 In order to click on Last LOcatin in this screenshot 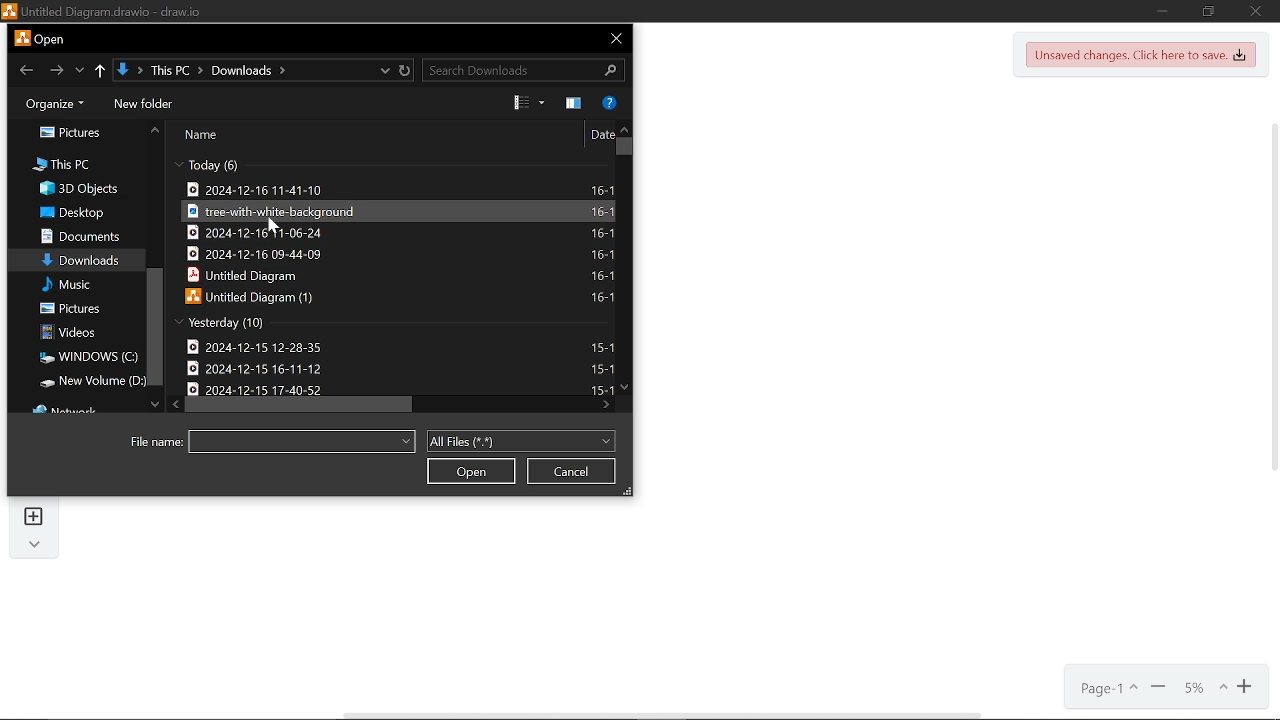, I will do `click(80, 72)`.